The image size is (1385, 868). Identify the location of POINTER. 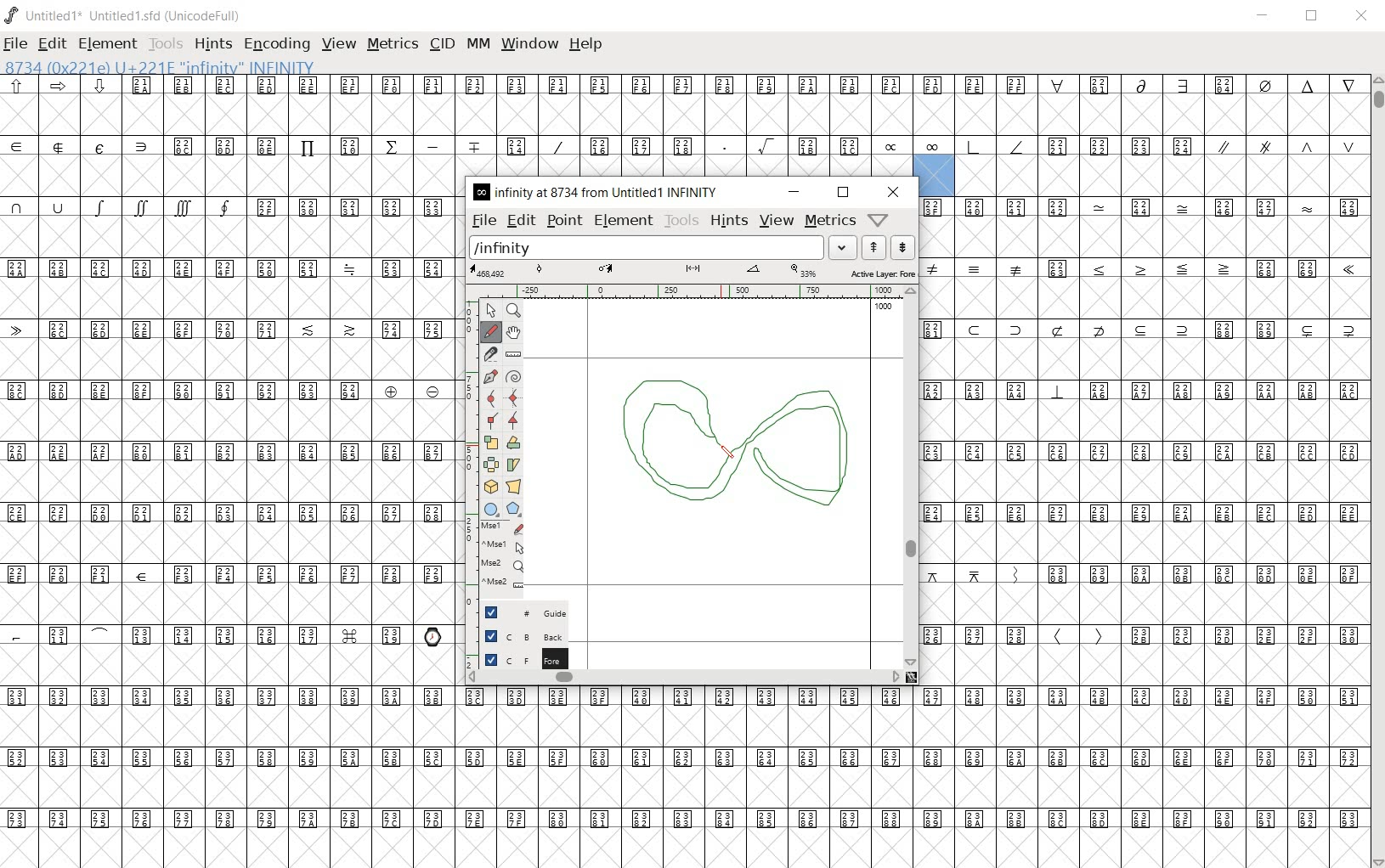
(489, 311).